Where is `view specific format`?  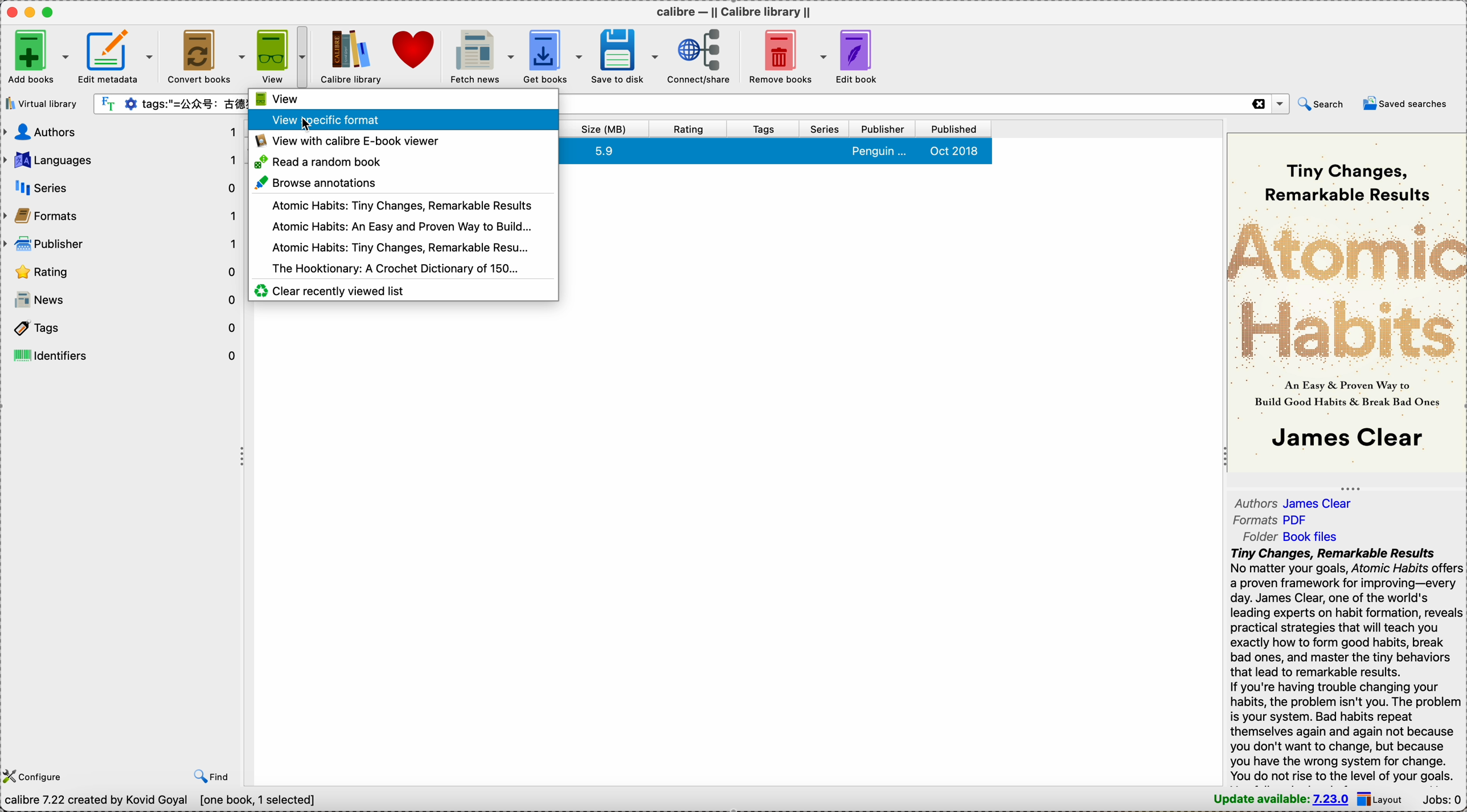 view specific format is located at coordinates (439, 118).